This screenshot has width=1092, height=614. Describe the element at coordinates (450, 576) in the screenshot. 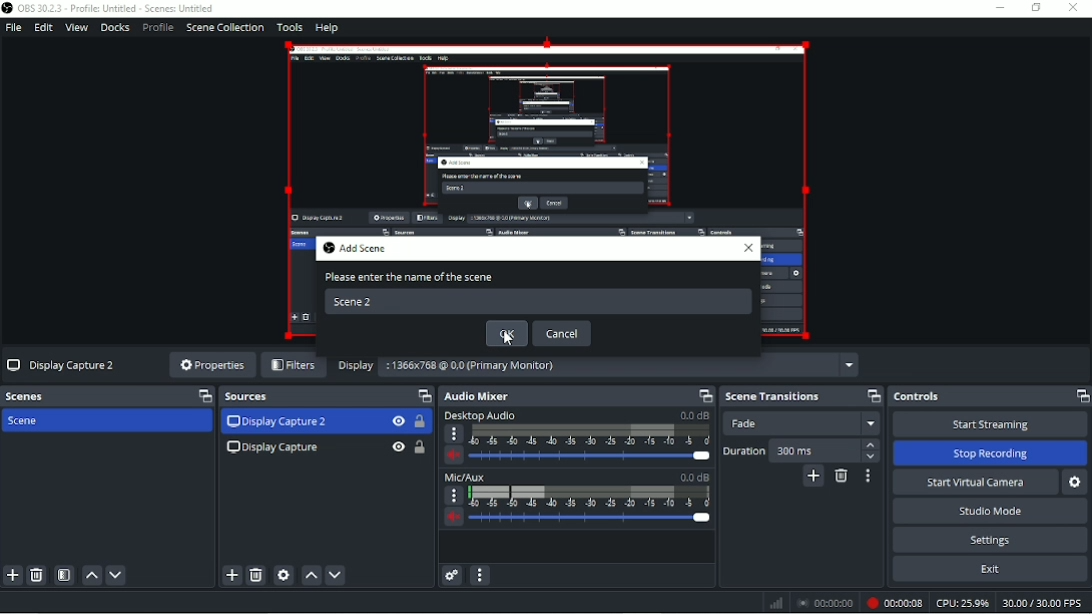

I see `Advanced audio properties` at that location.